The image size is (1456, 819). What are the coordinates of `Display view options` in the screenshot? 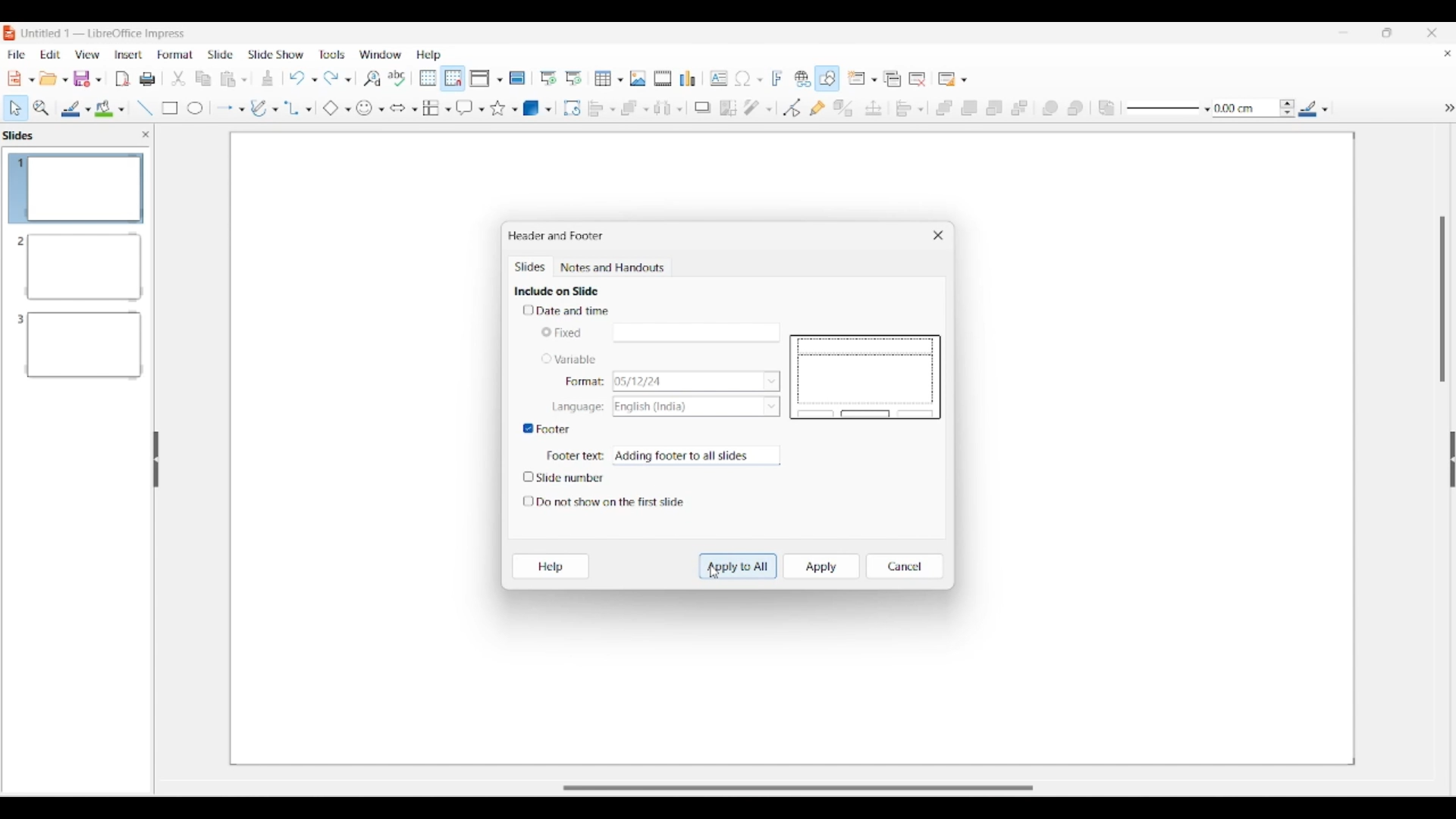 It's located at (487, 78).